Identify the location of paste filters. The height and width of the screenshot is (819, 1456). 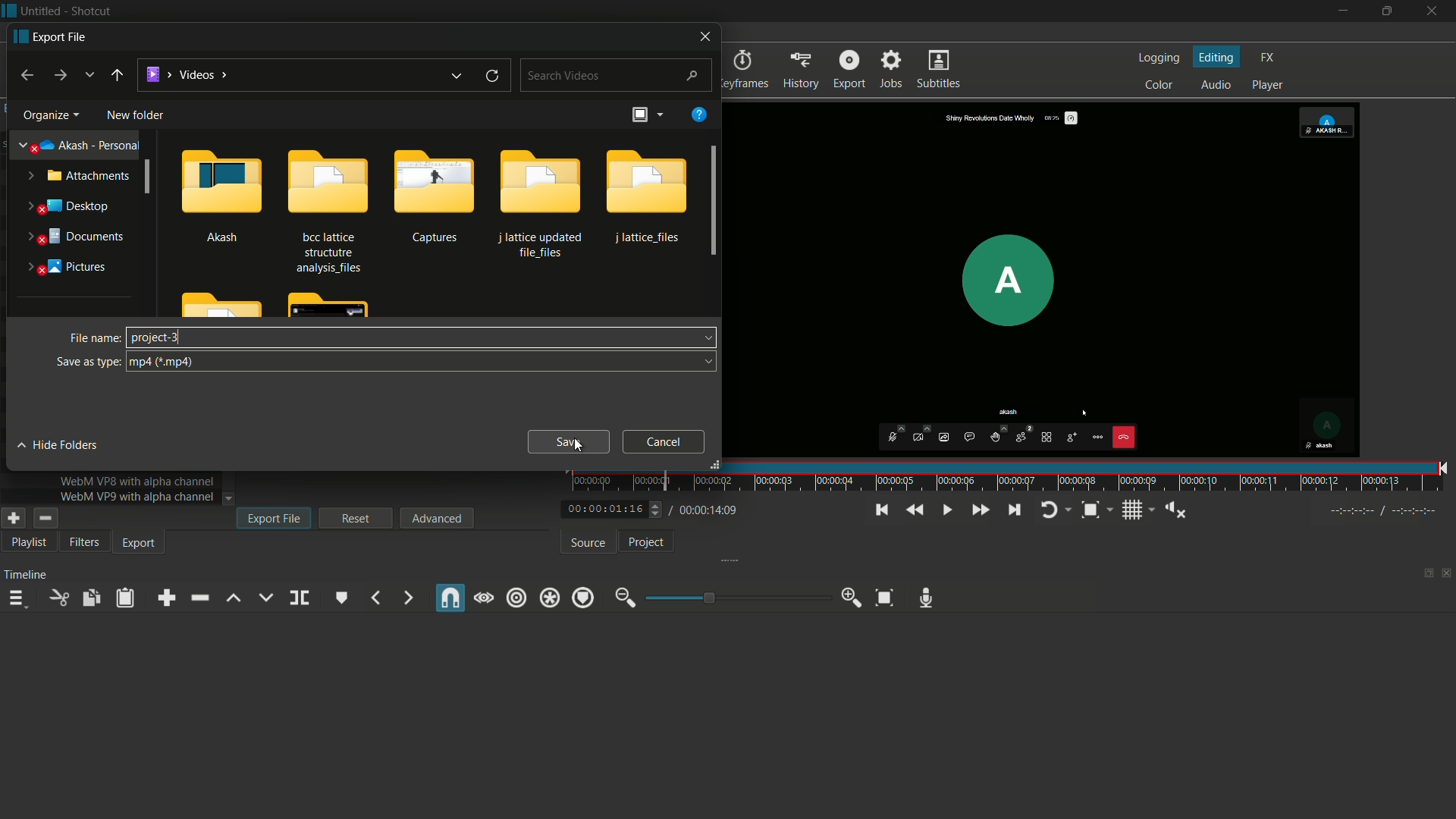
(125, 599).